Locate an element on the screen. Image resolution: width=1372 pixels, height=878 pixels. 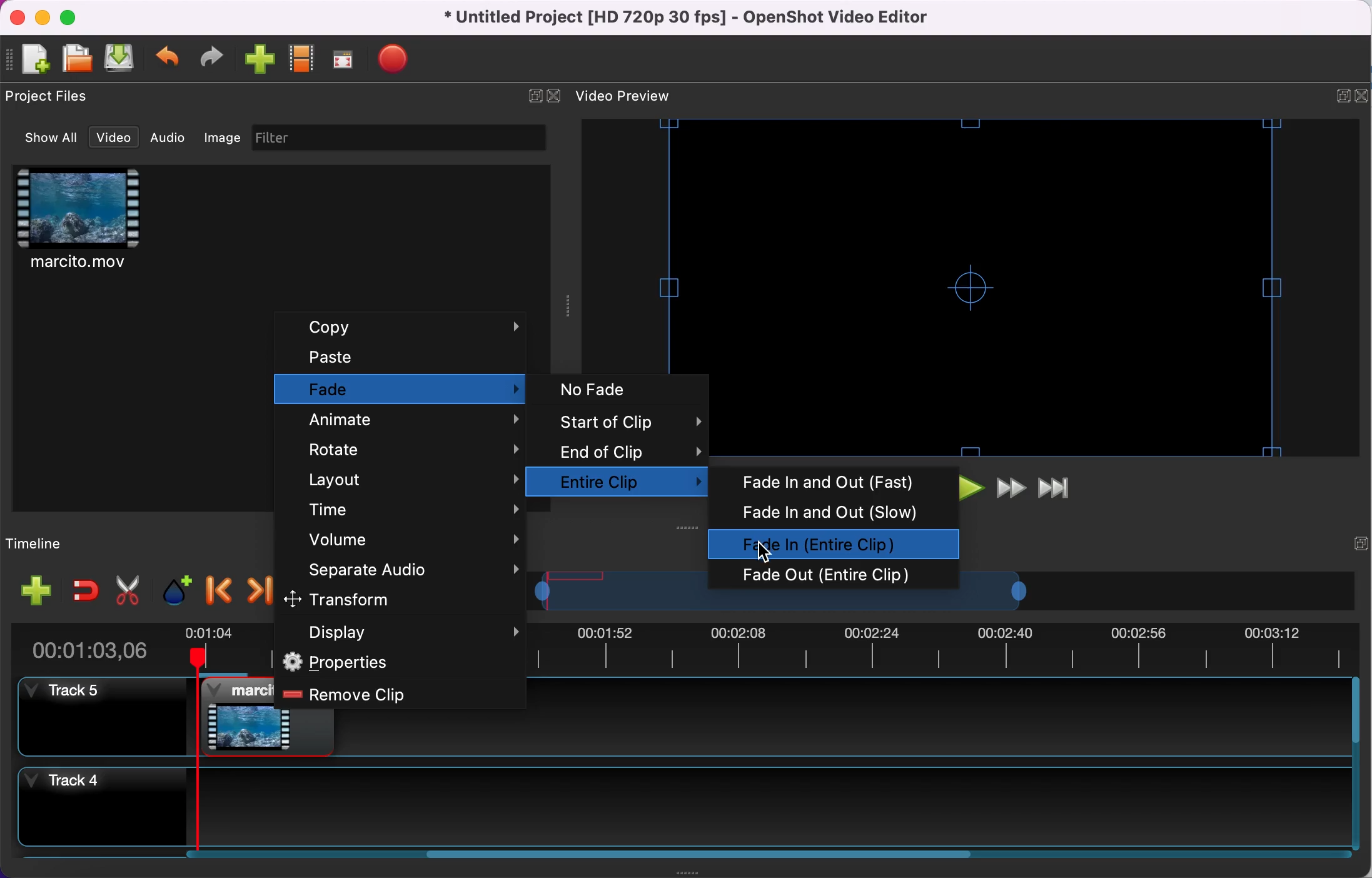
video is located at coordinates (111, 137).